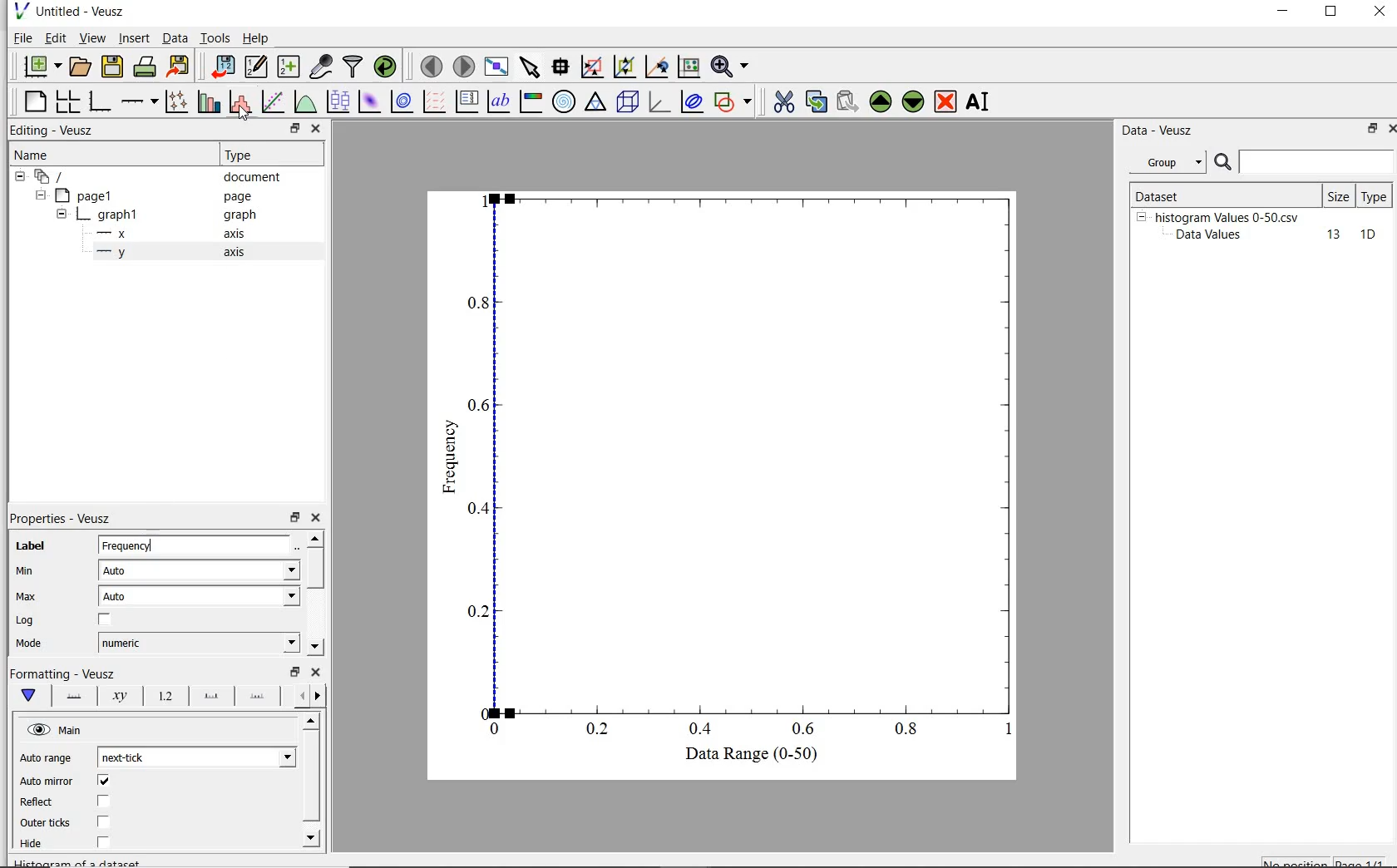 This screenshot has height=868, width=1397. I want to click on hide, so click(39, 195).